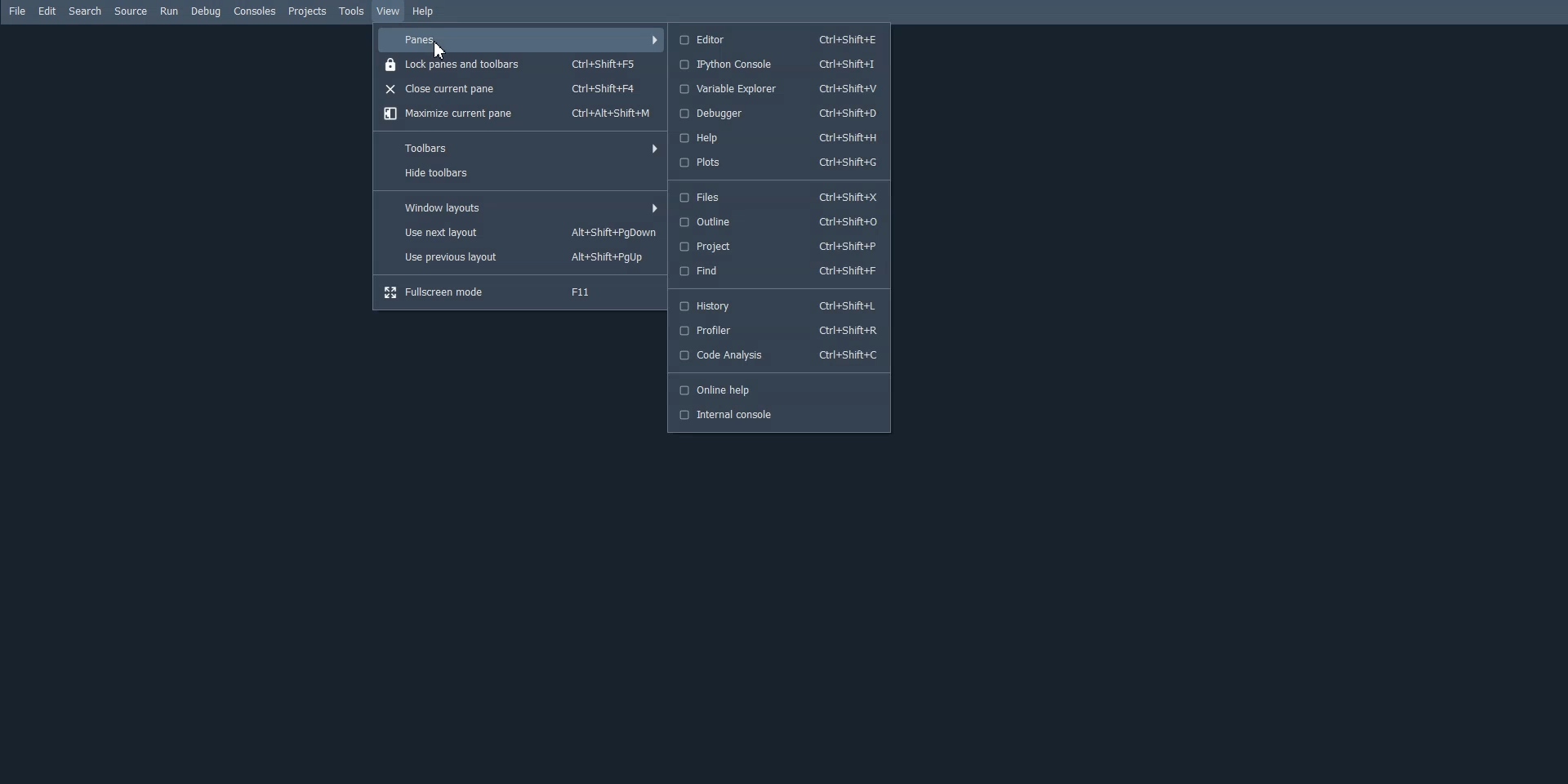 Image resolution: width=1568 pixels, height=784 pixels. Describe the element at coordinates (522, 257) in the screenshot. I see `Use previous layout` at that location.